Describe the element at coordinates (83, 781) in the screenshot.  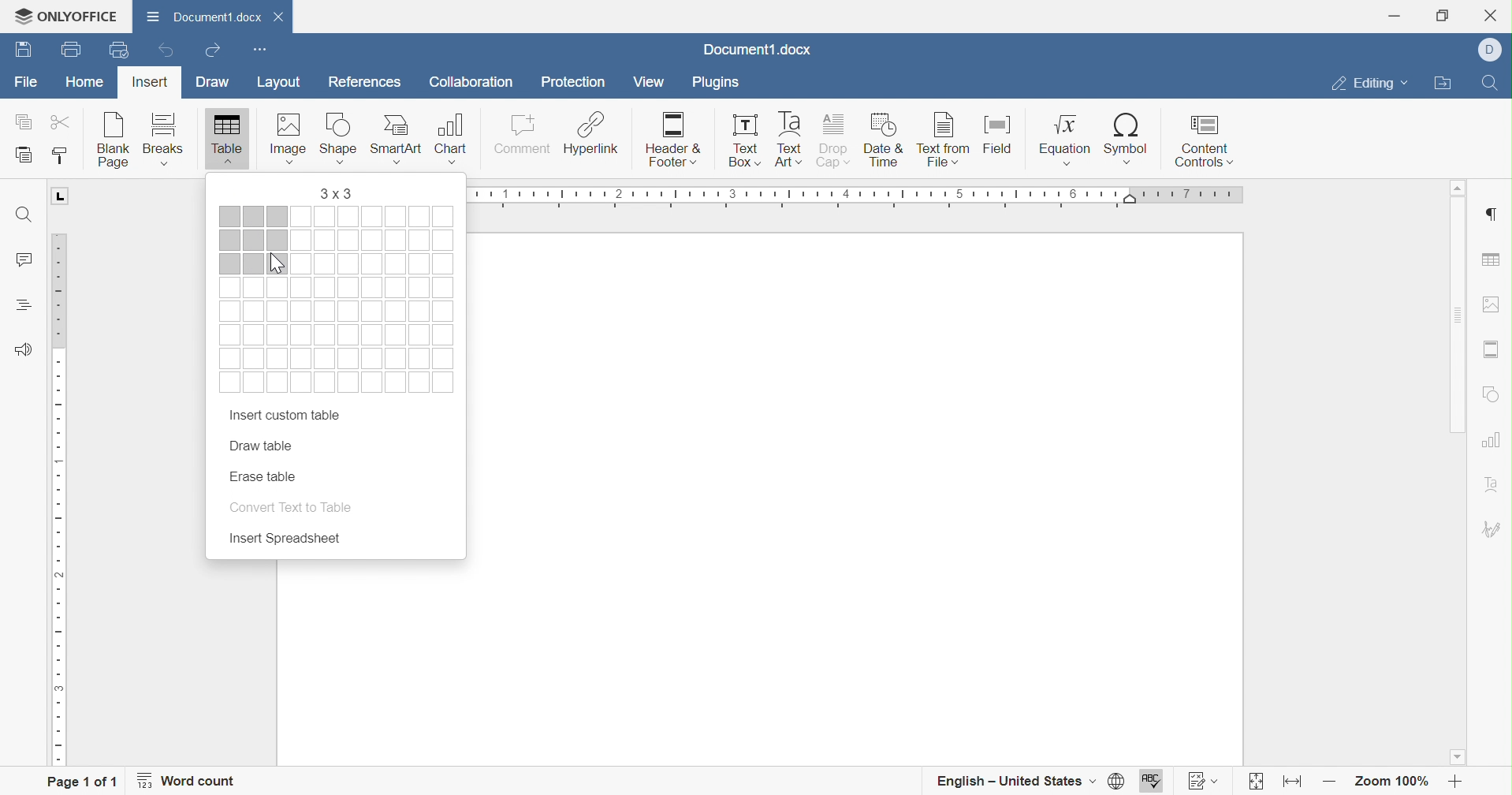
I see `Page 1 of 1` at that location.